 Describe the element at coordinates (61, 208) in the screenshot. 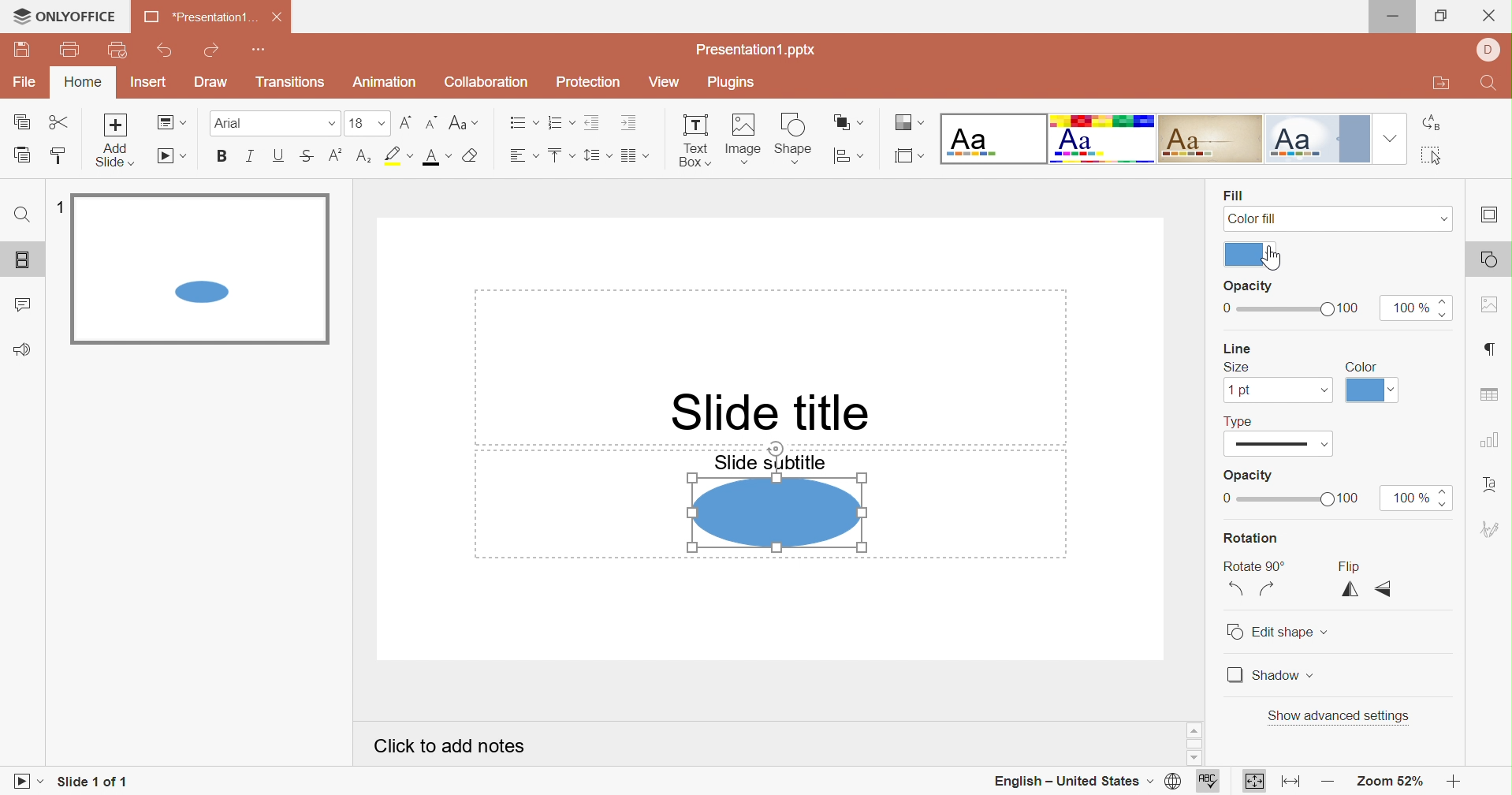

I see `1` at that location.